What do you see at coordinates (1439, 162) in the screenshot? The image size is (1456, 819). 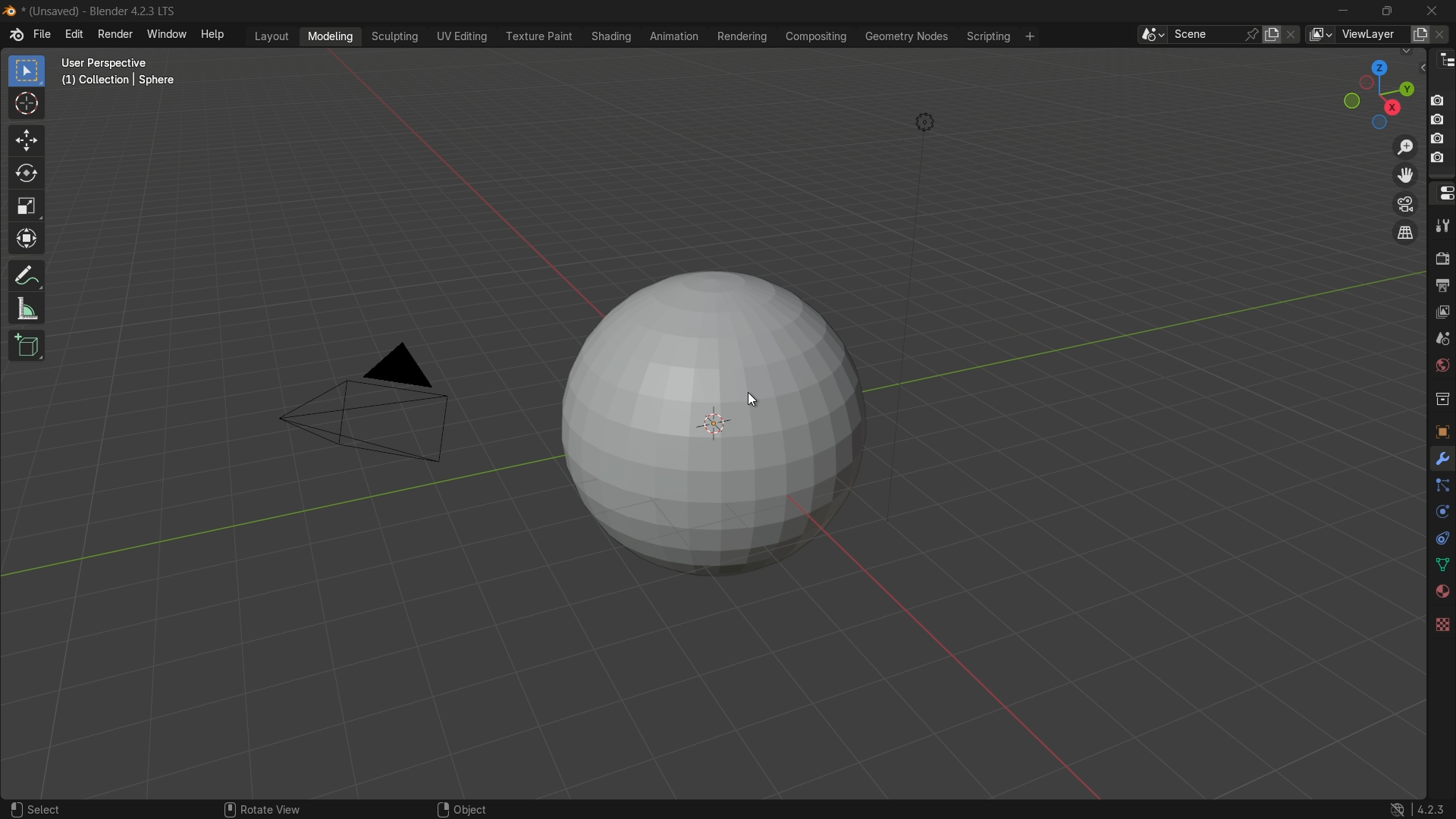 I see `selected capture` at bounding box center [1439, 162].